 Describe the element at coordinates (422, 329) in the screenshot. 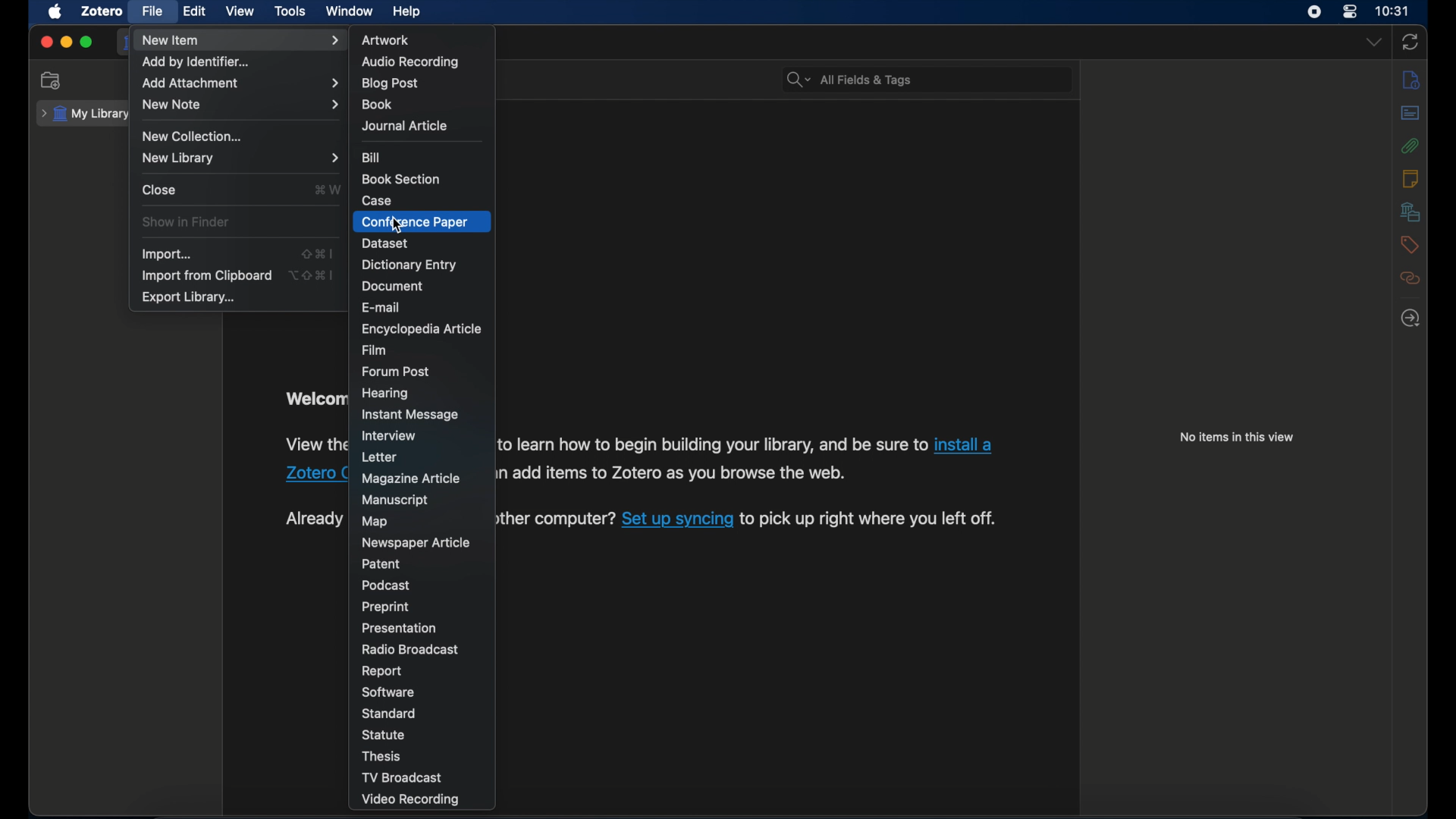

I see `encyclopedia article` at that location.